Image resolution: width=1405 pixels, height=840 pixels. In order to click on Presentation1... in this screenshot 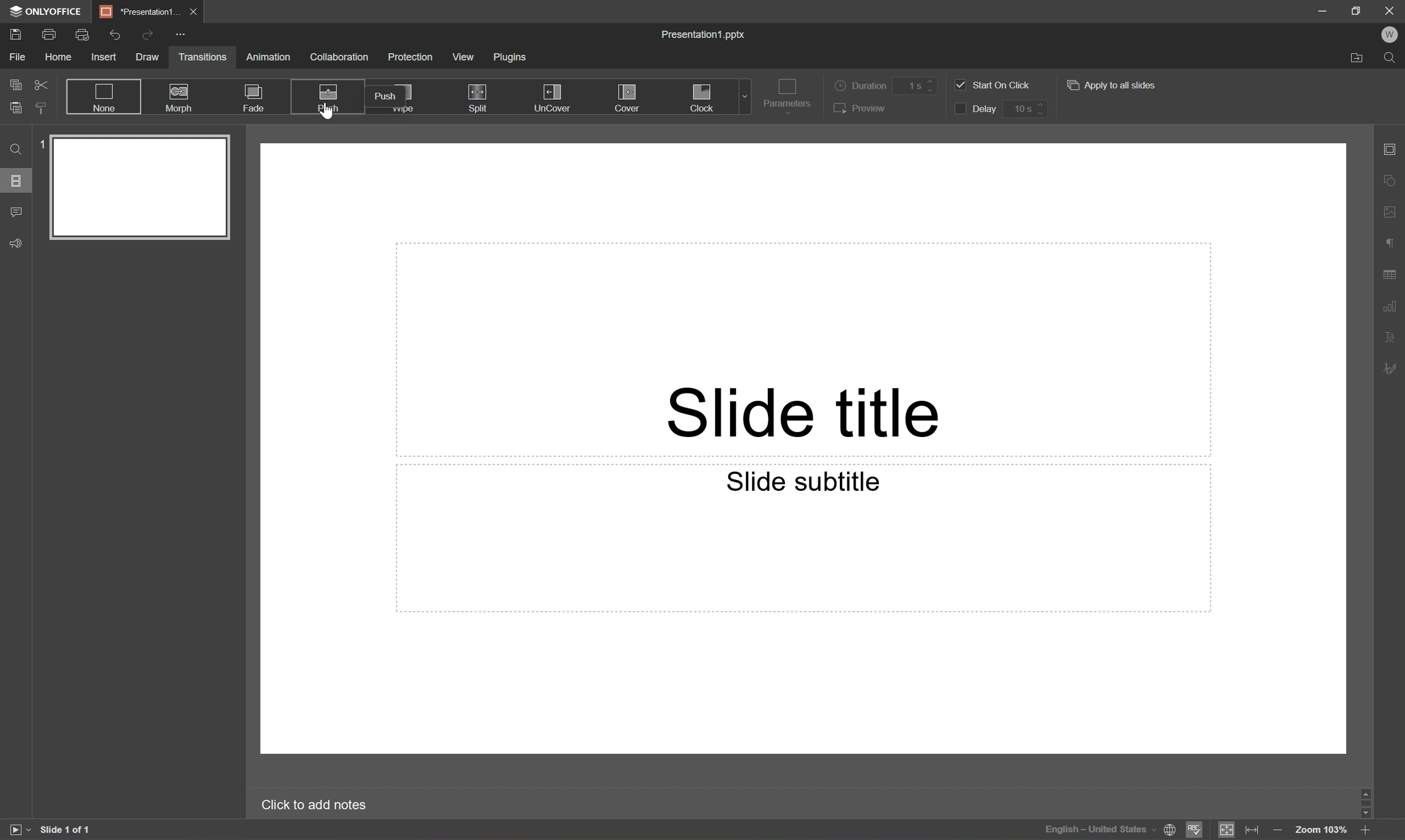, I will do `click(140, 11)`.